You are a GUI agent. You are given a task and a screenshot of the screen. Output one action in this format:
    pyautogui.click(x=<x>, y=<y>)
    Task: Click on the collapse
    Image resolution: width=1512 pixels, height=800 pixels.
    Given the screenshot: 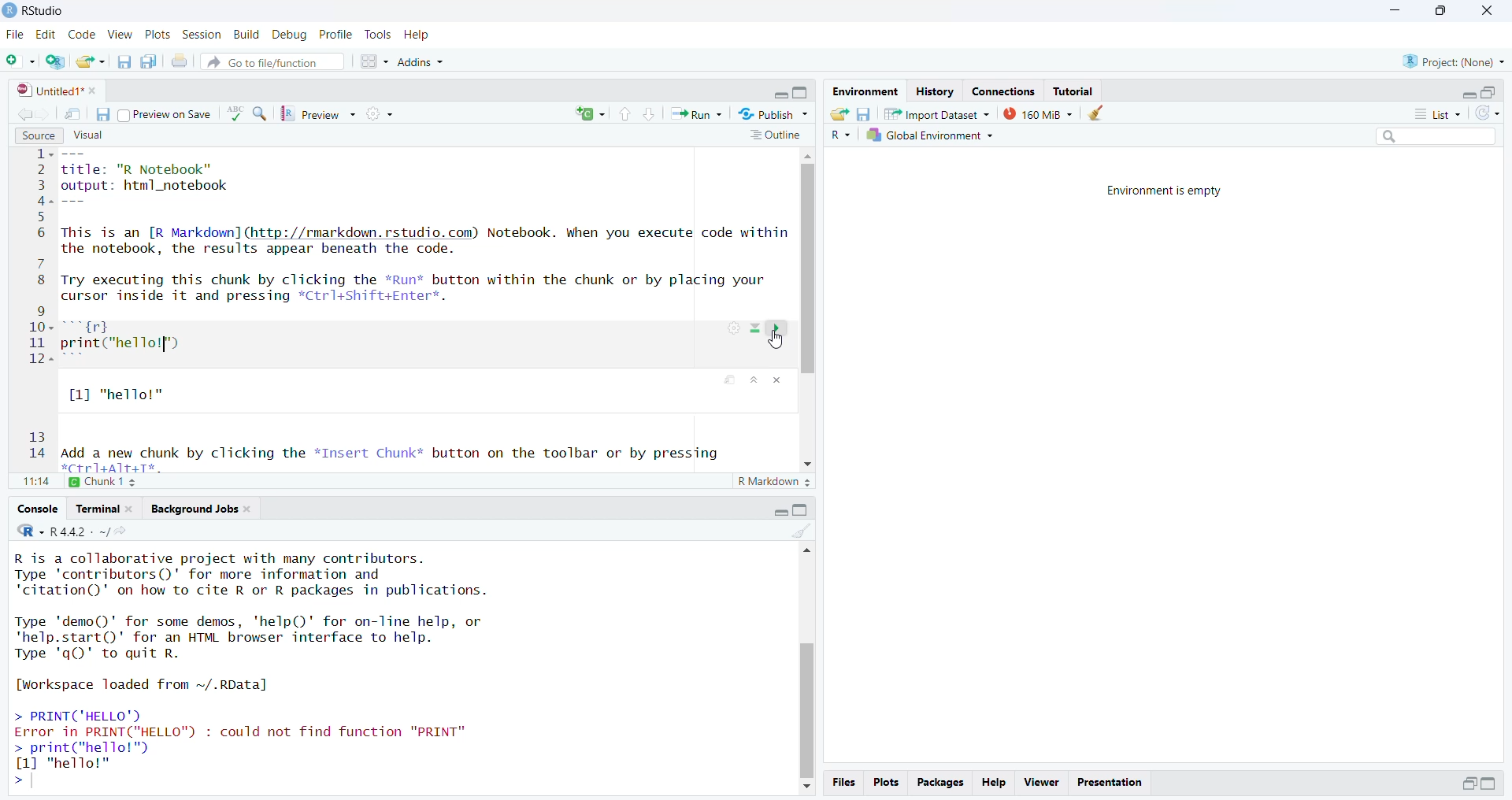 What is the action you would take?
    pyautogui.click(x=802, y=509)
    